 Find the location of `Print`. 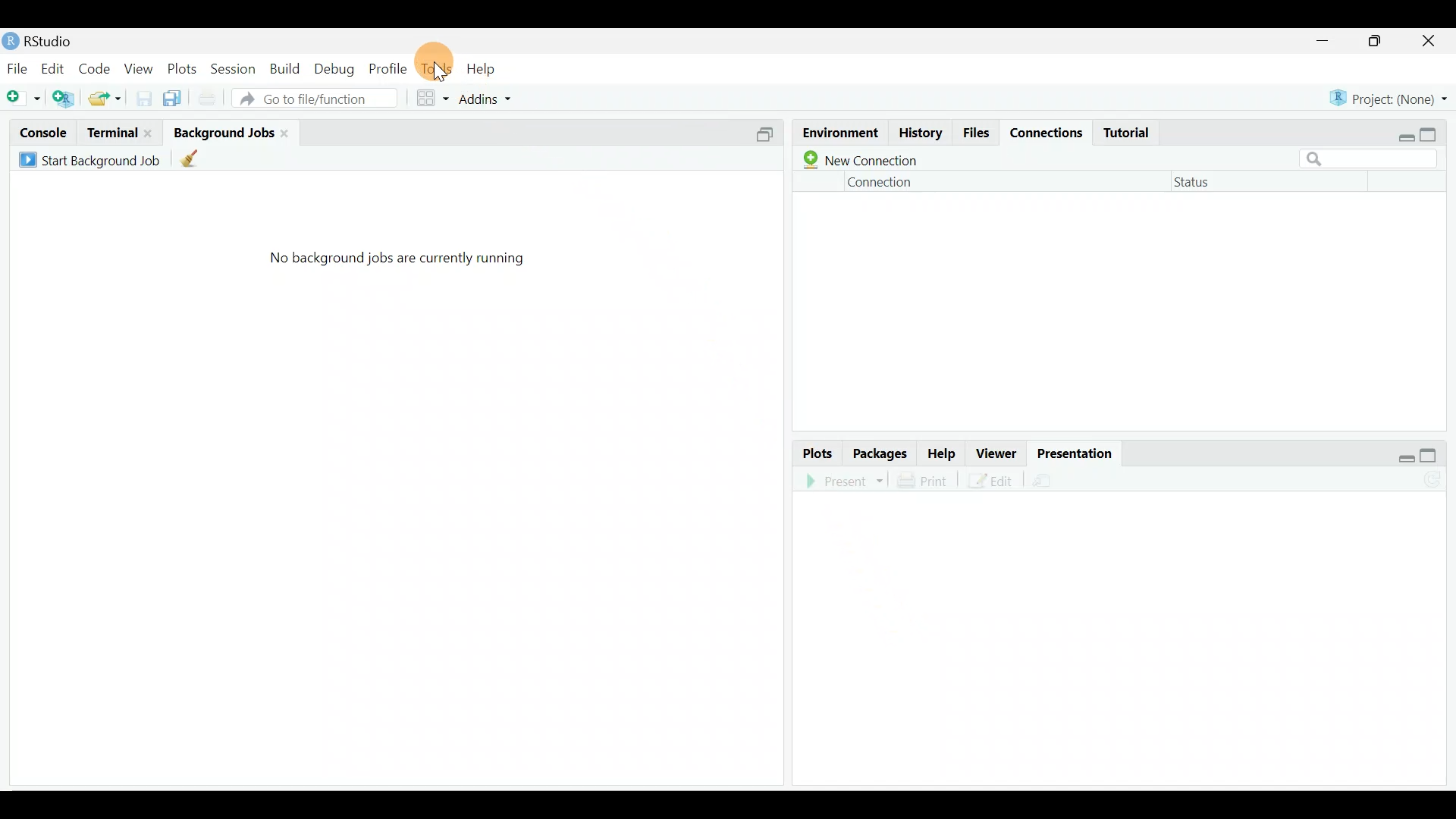

Print is located at coordinates (932, 482).